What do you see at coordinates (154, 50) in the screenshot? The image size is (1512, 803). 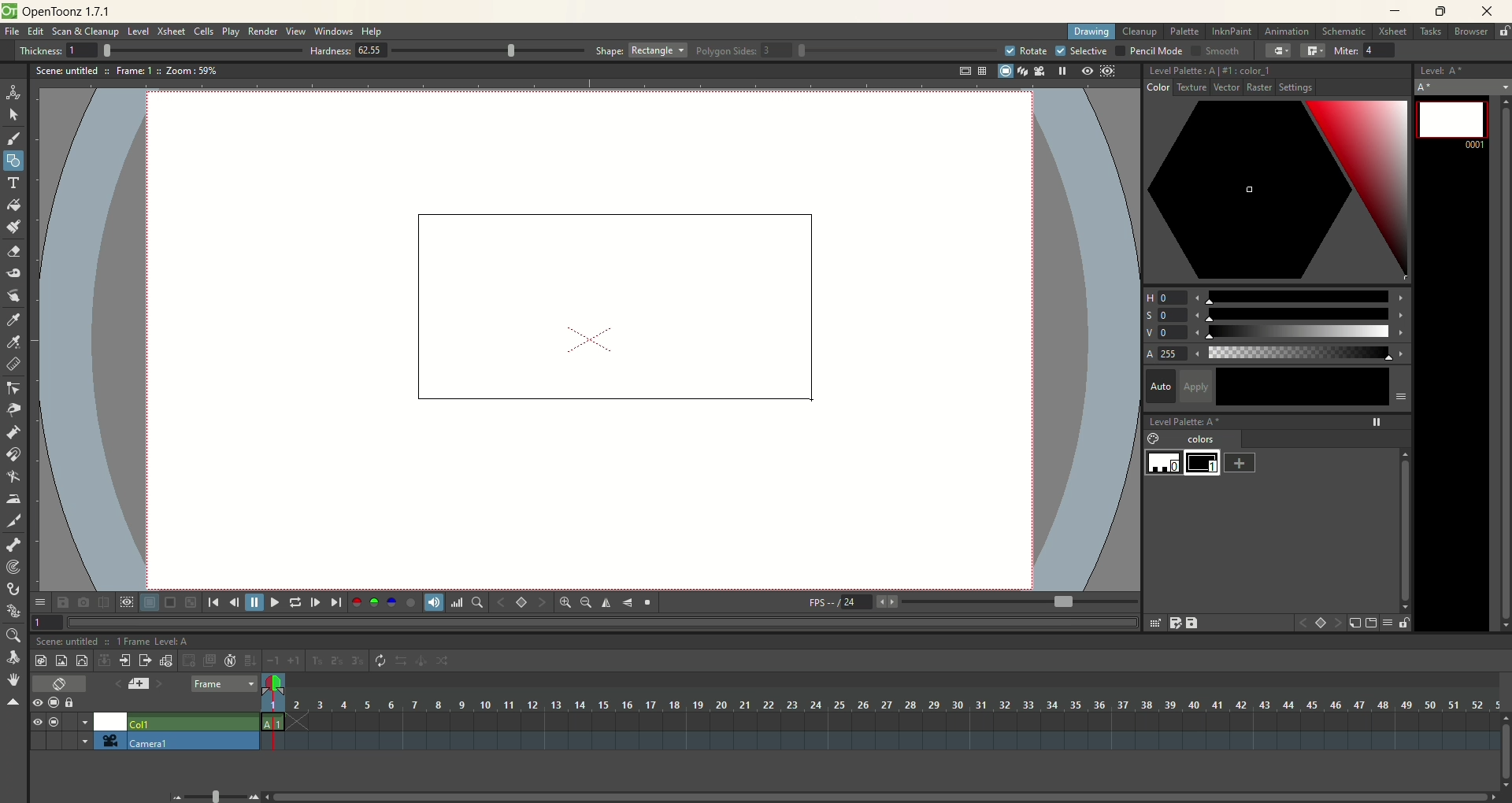 I see `thickness` at bounding box center [154, 50].